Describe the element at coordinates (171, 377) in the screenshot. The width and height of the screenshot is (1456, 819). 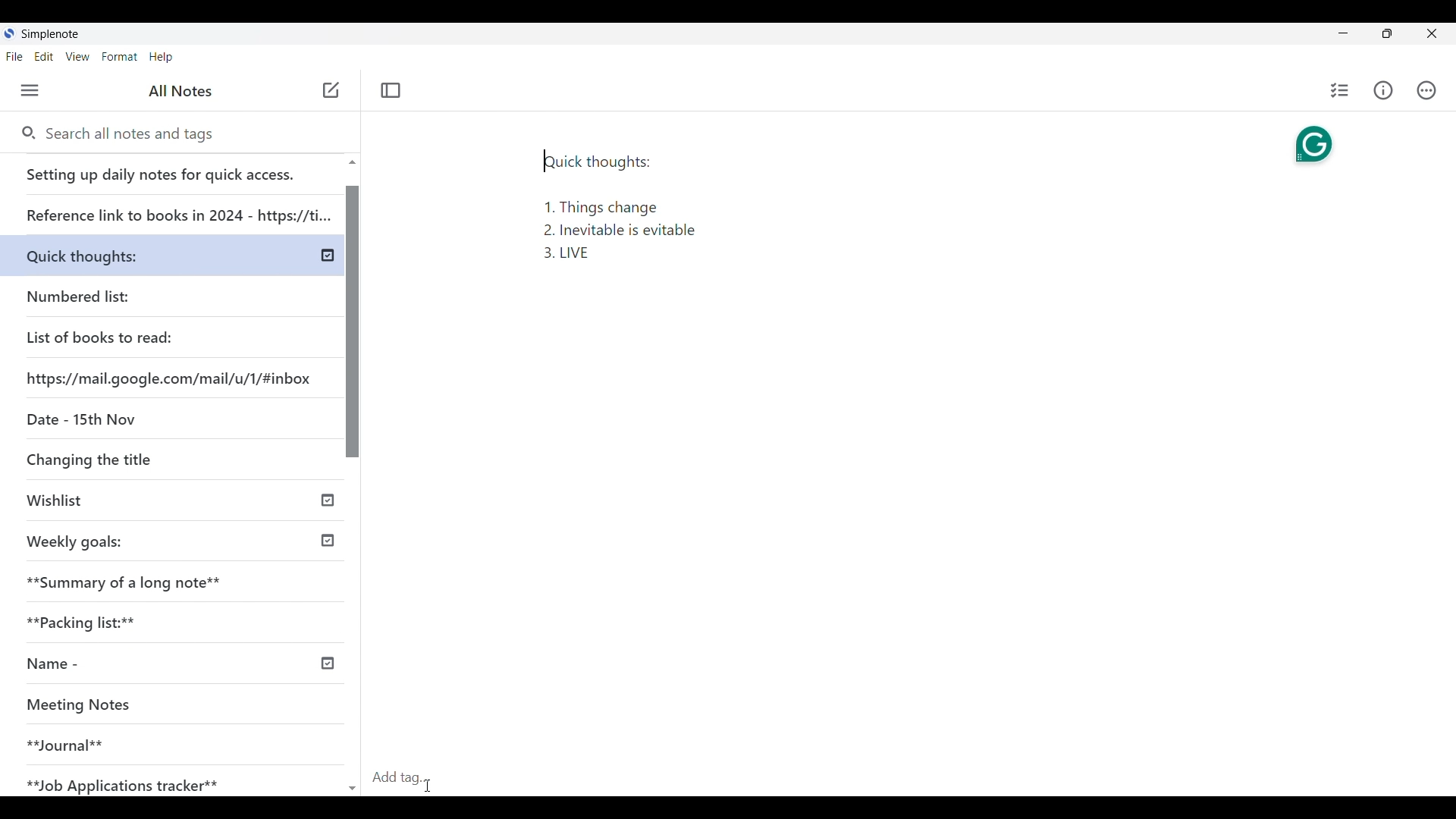
I see `Website` at that location.